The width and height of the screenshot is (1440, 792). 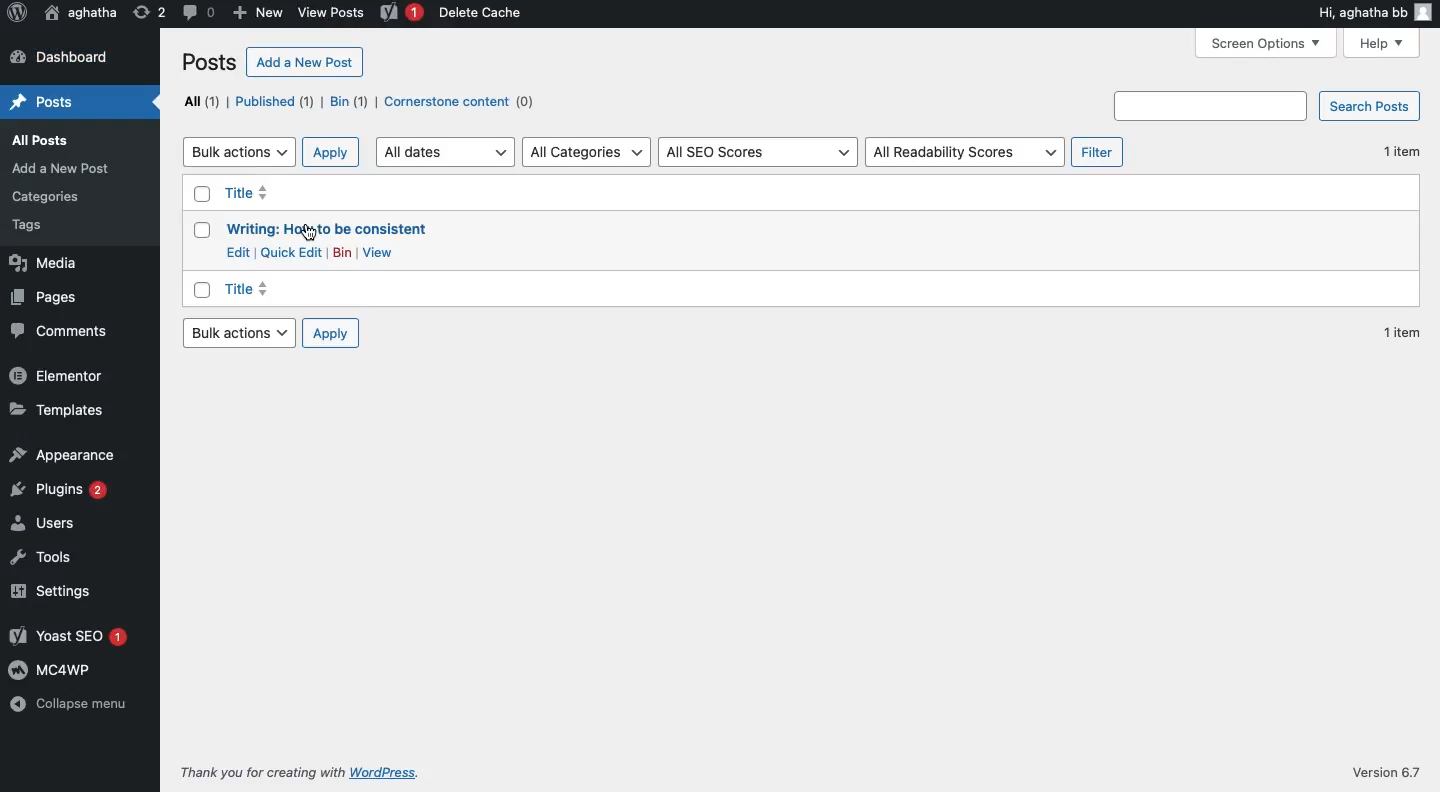 I want to click on Screen options, so click(x=1264, y=42).